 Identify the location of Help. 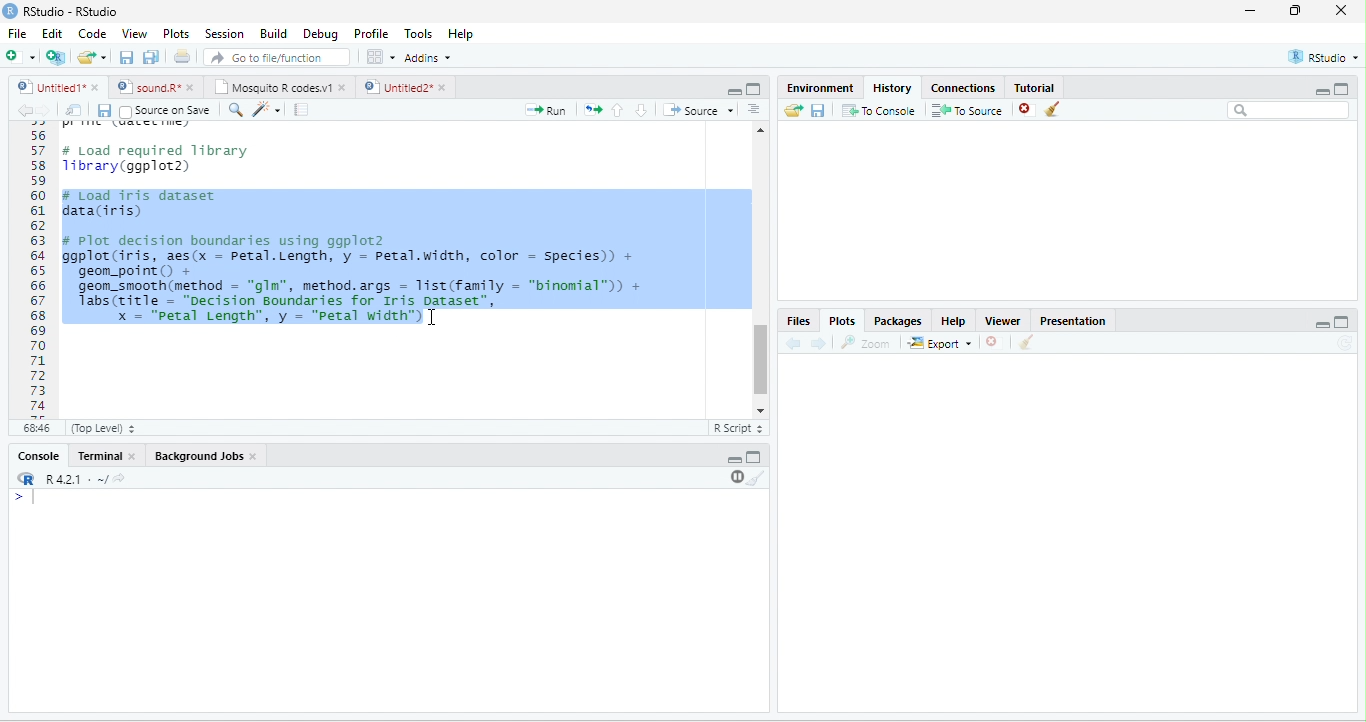
(463, 35).